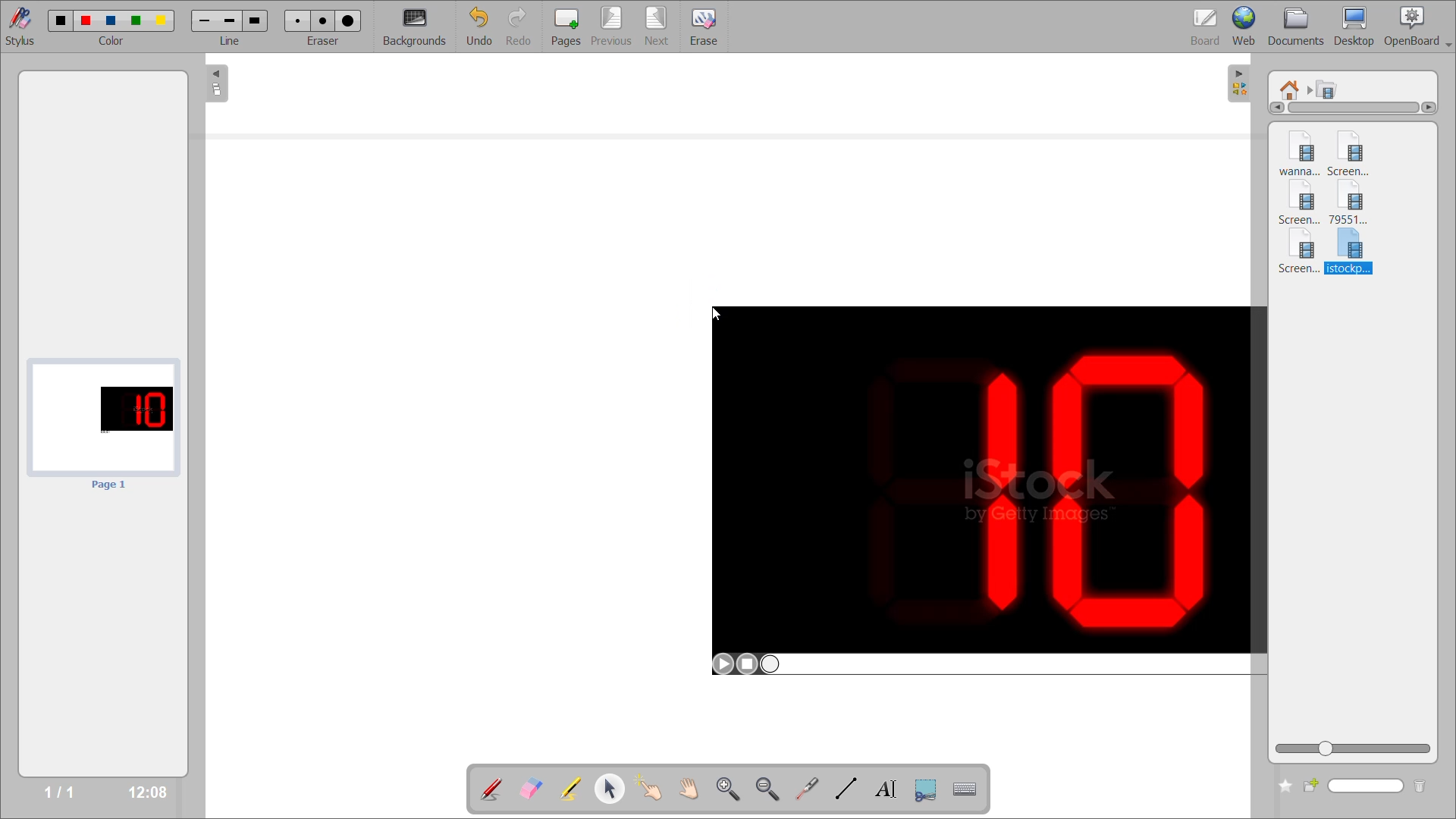 This screenshot has height=819, width=1456. I want to click on horizontal scroll bar, so click(1354, 110).